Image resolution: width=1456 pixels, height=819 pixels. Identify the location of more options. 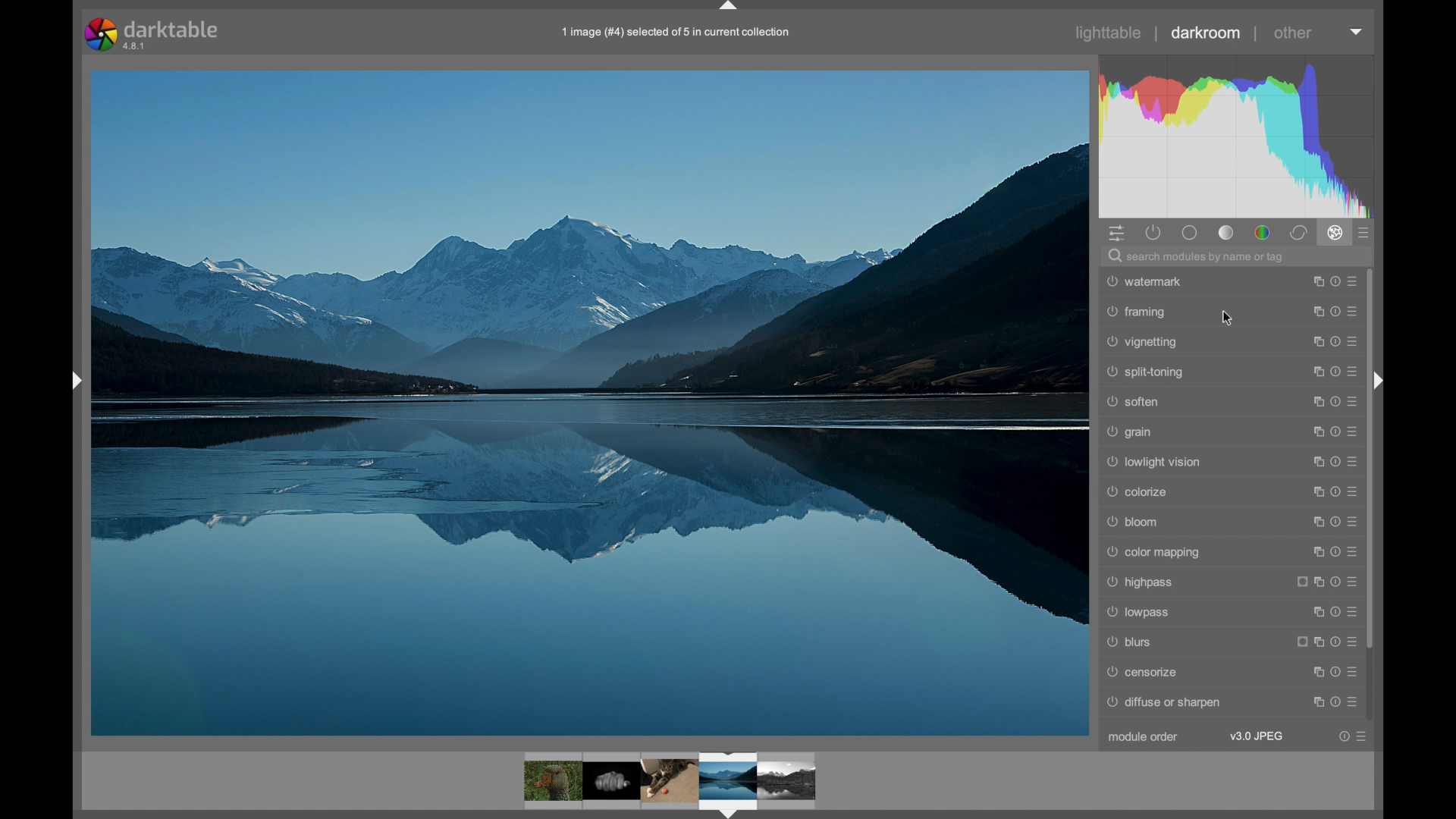
(1335, 281).